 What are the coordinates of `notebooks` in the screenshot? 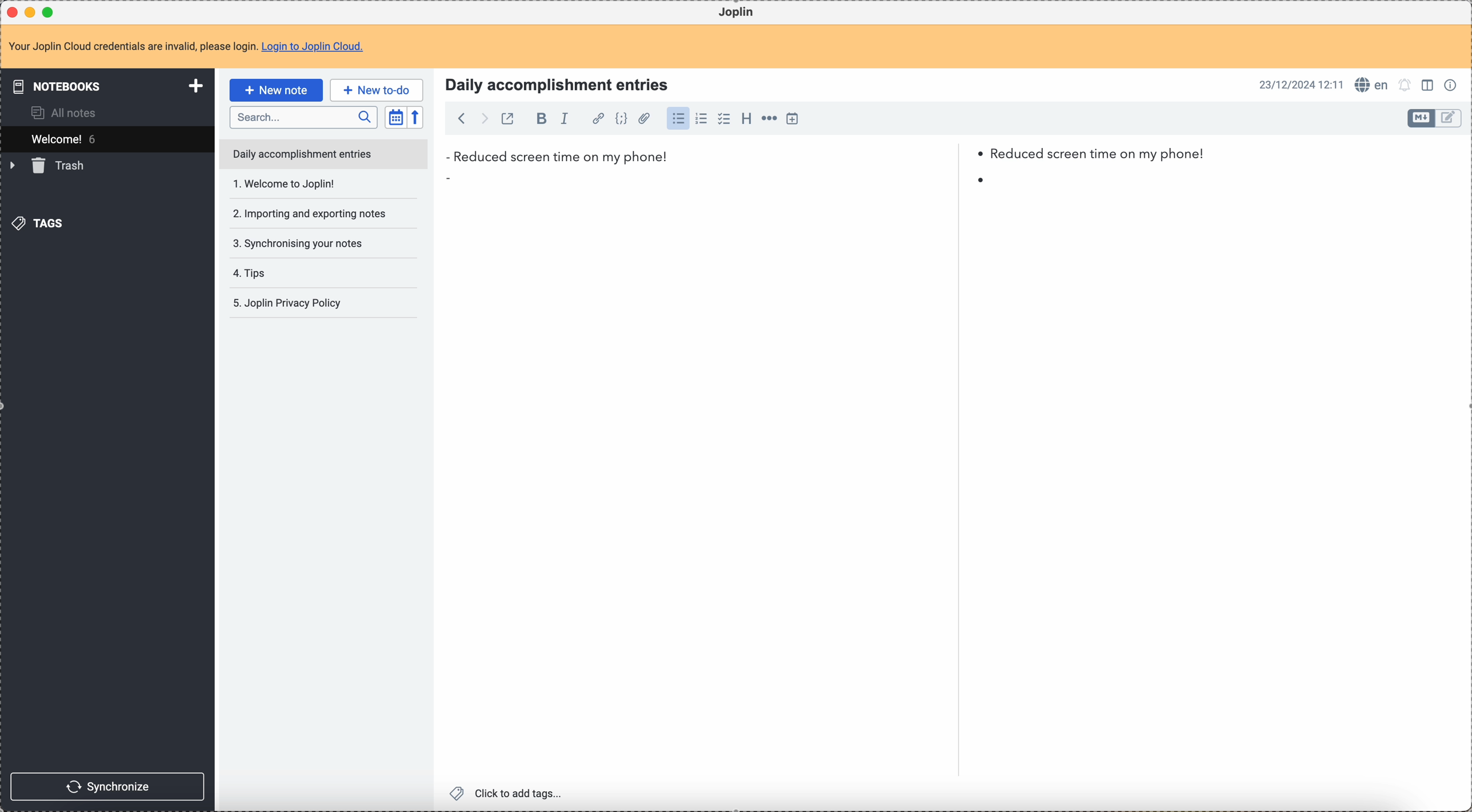 It's located at (105, 85).